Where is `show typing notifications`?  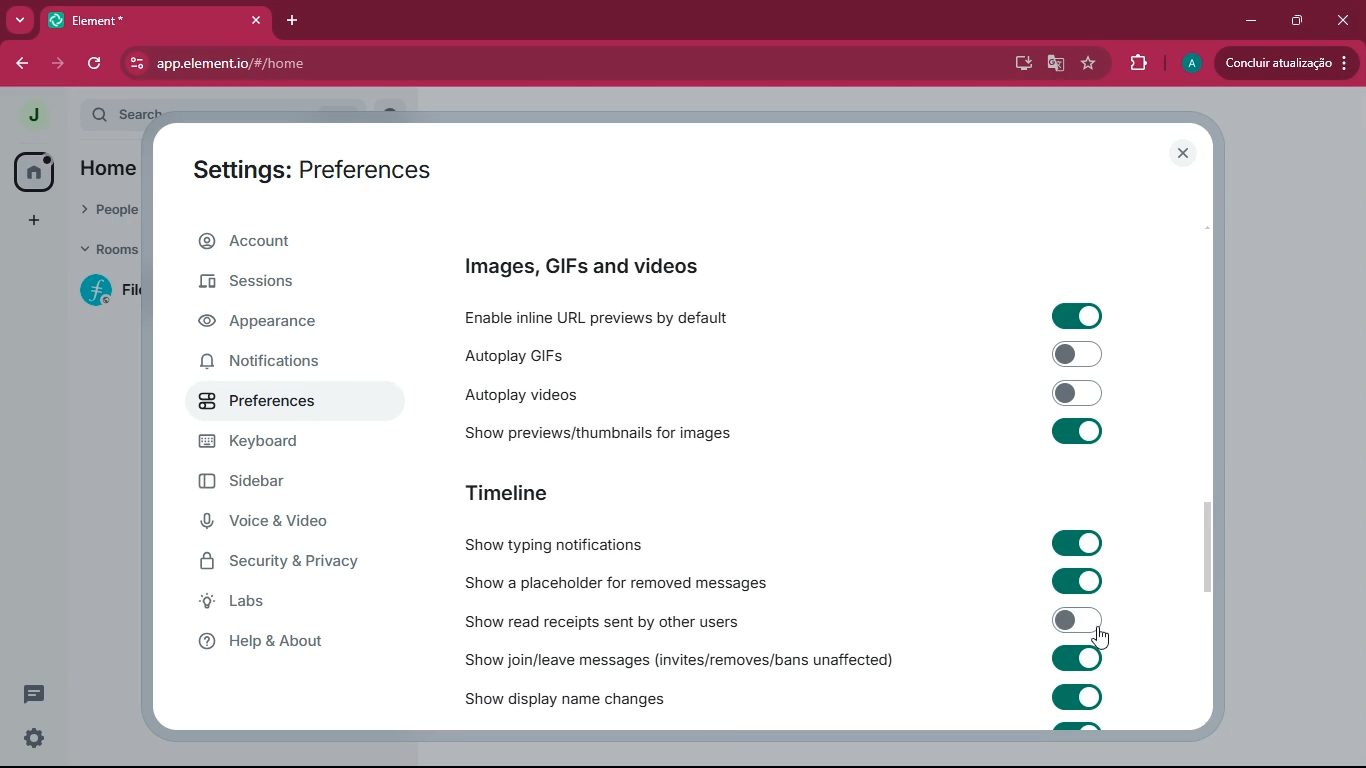 show typing notifications is located at coordinates (552, 541).